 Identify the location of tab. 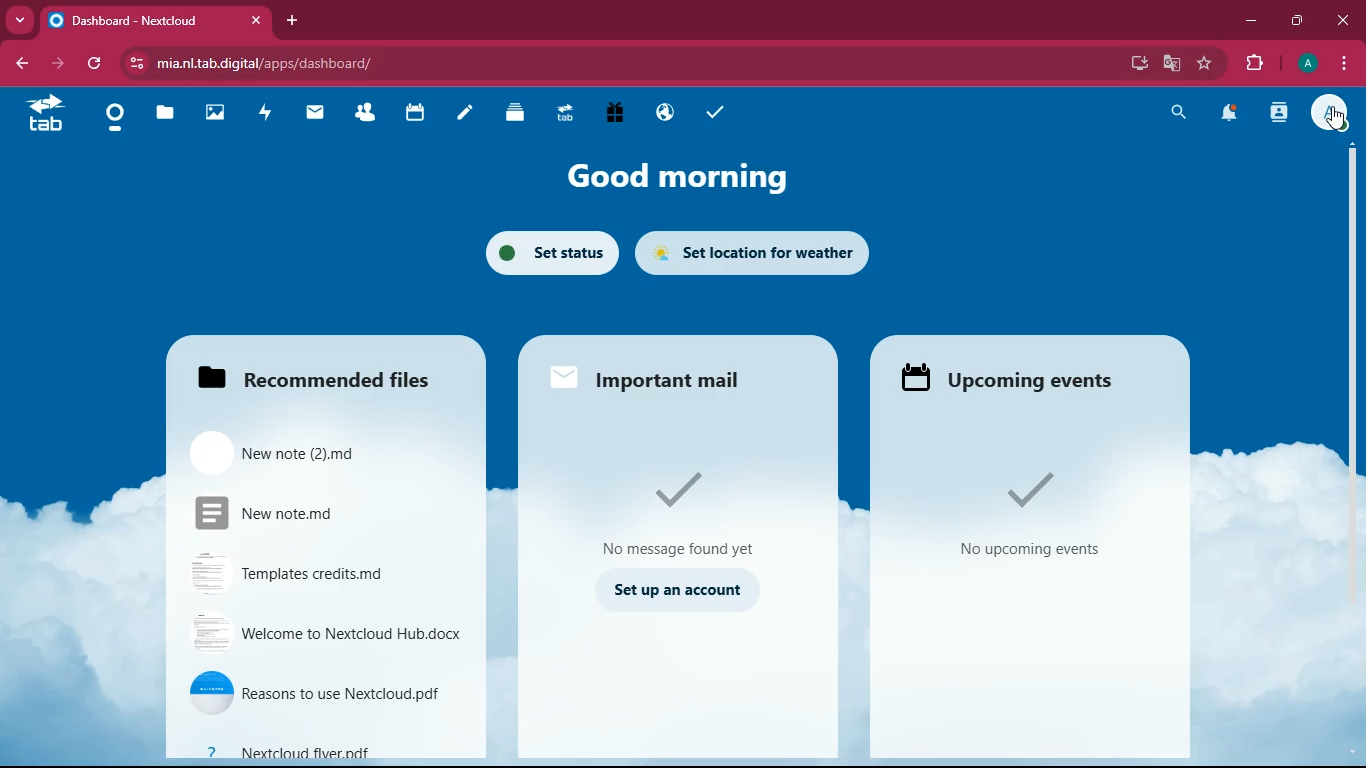
(561, 116).